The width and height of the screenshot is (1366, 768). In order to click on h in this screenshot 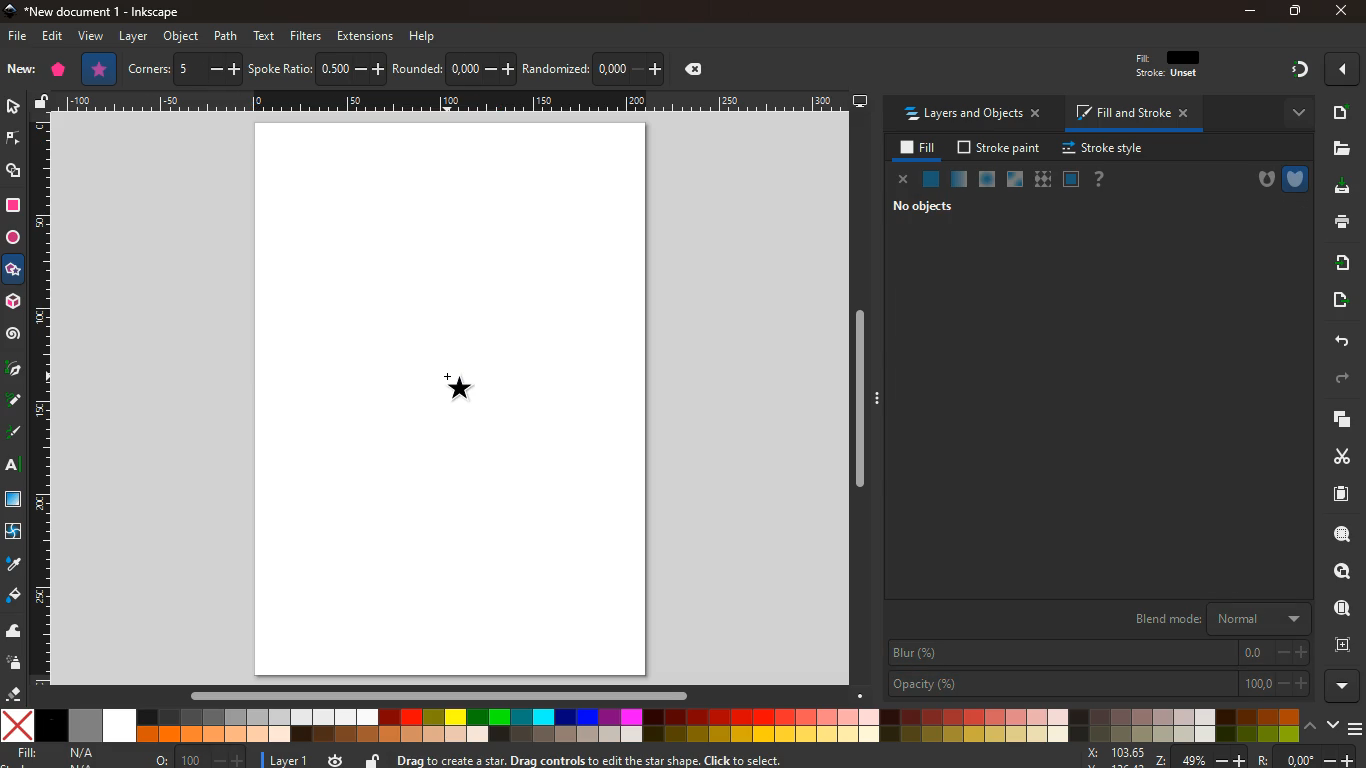, I will do `click(1099, 282)`.